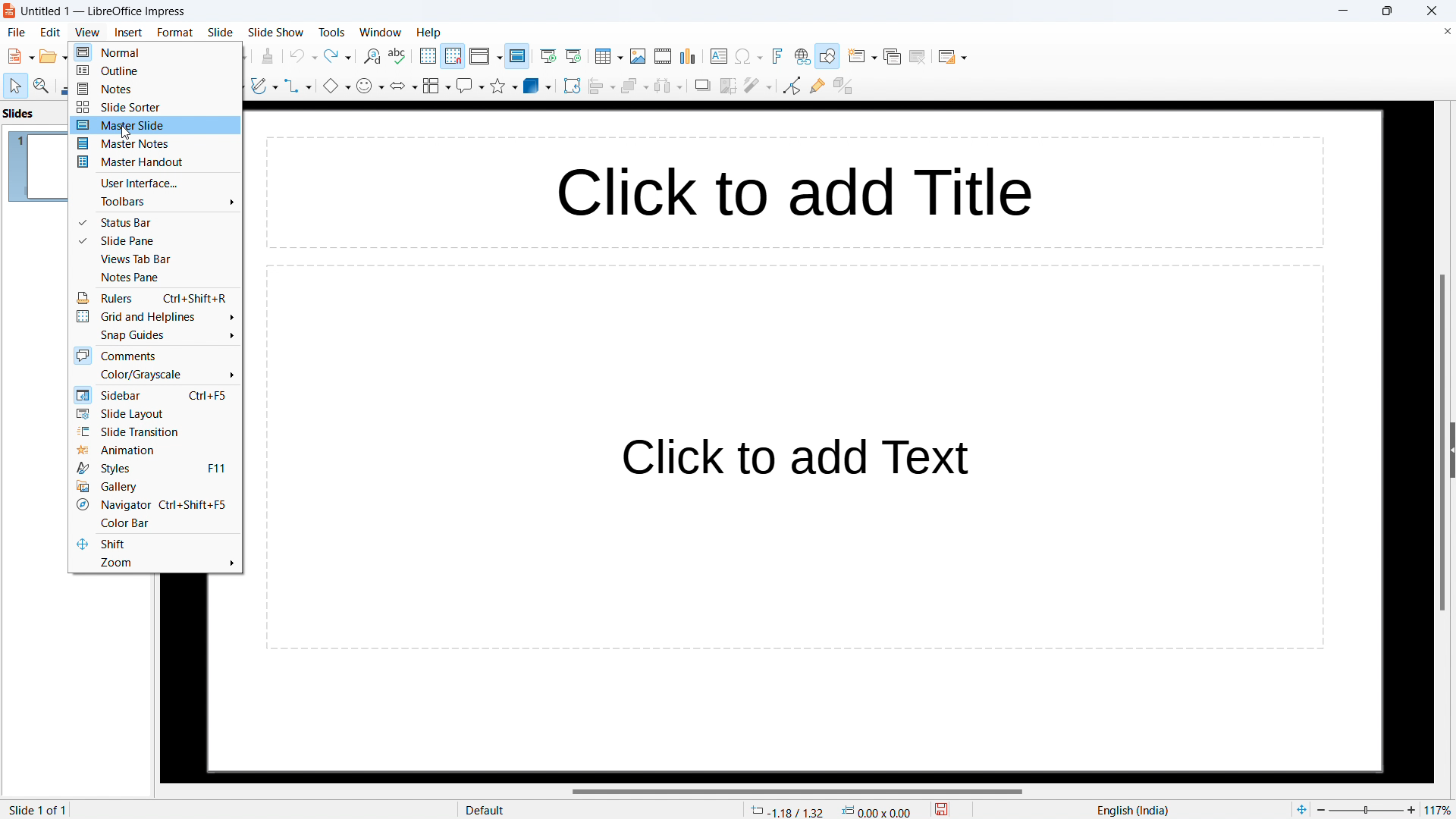  Describe the element at coordinates (220, 32) in the screenshot. I see `slide` at that location.